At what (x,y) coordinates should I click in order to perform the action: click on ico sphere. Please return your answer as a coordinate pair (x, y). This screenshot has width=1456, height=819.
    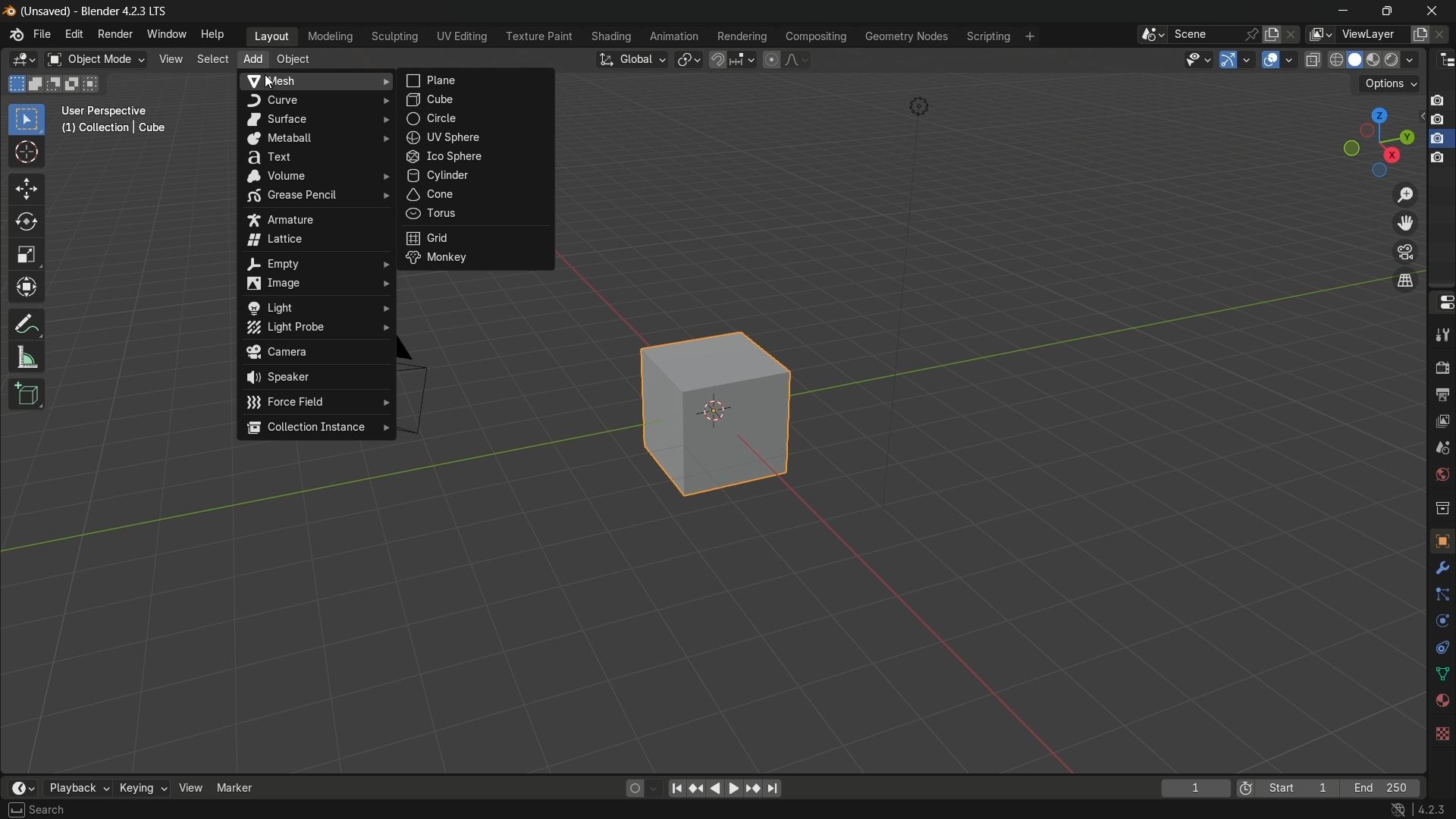
    Looking at the image, I should click on (476, 157).